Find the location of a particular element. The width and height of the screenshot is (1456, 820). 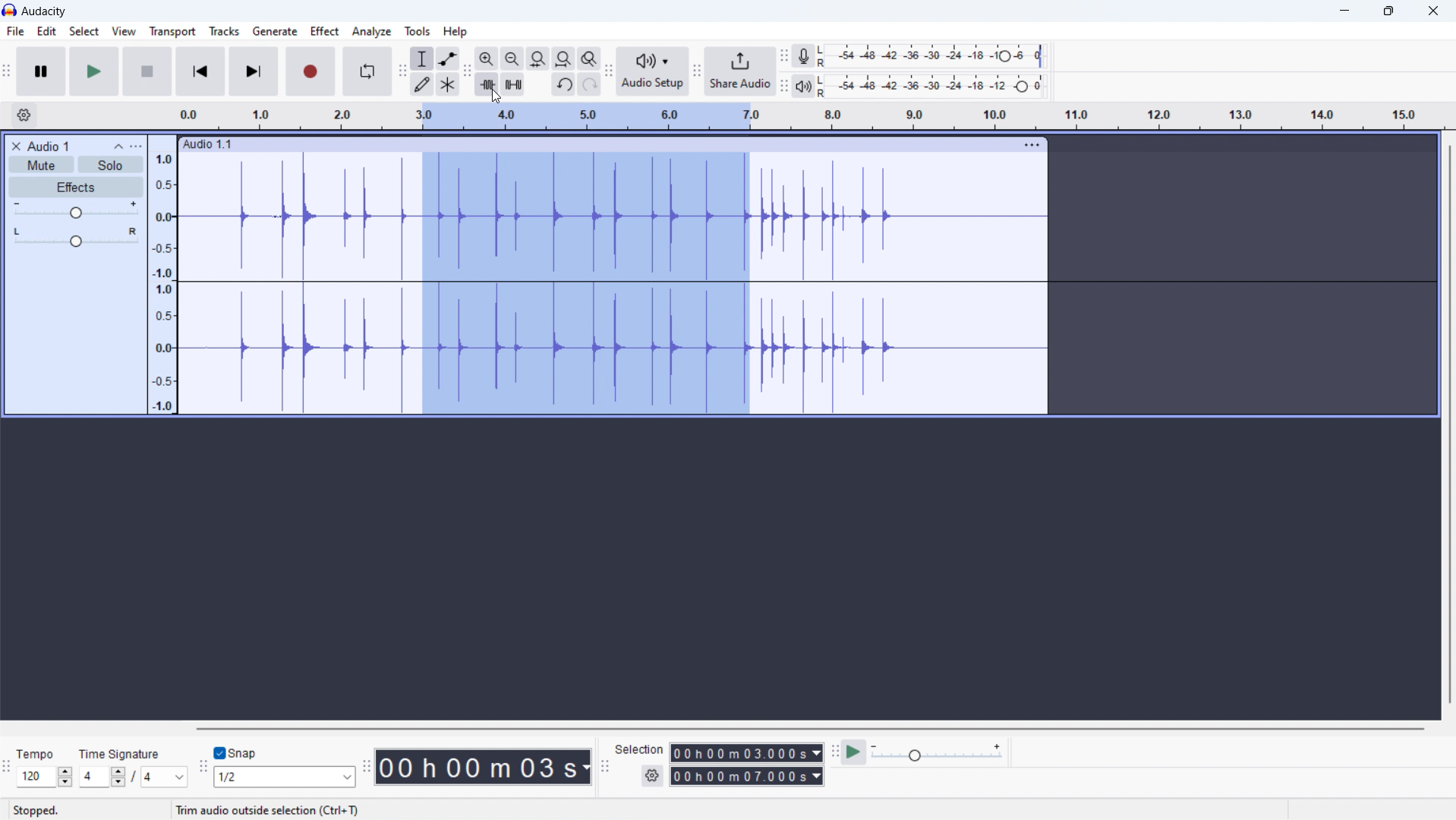

00h00m03. 000s (start time) is located at coordinates (746, 747).